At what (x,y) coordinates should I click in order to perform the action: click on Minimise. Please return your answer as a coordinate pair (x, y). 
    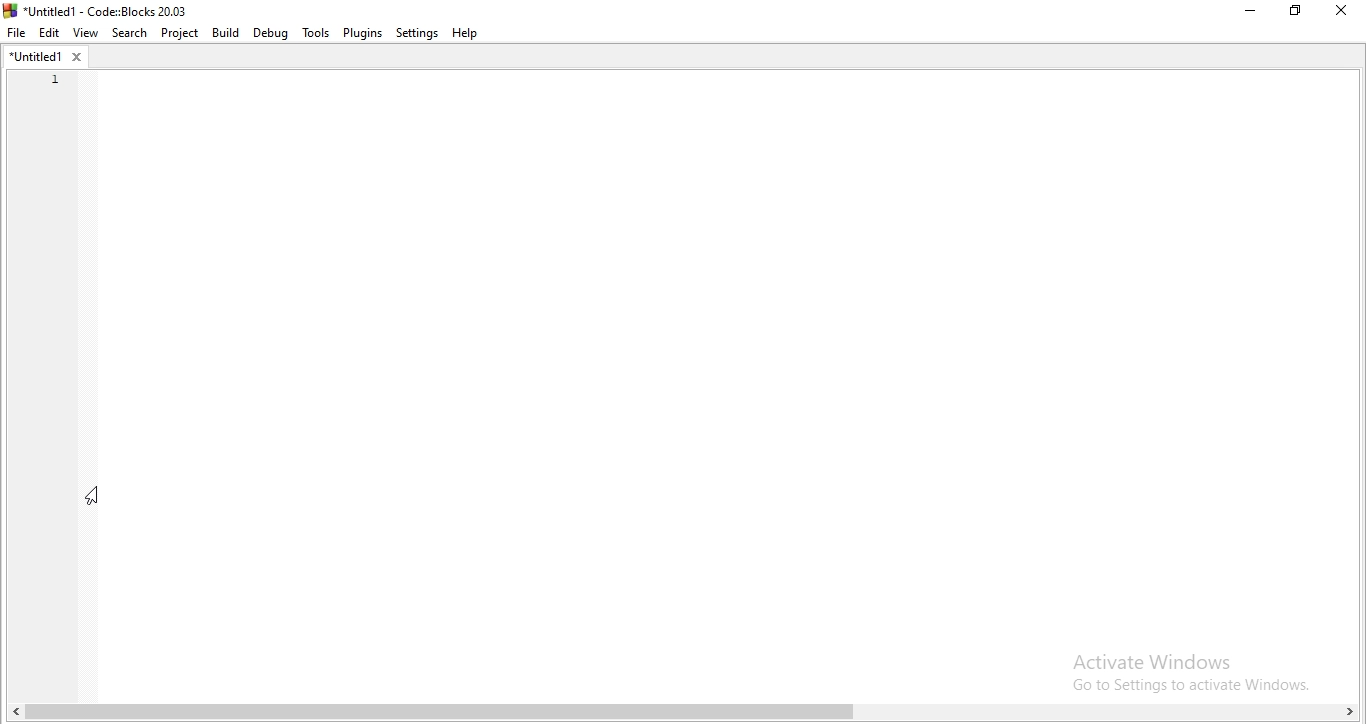
    Looking at the image, I should click on (1247, 13).